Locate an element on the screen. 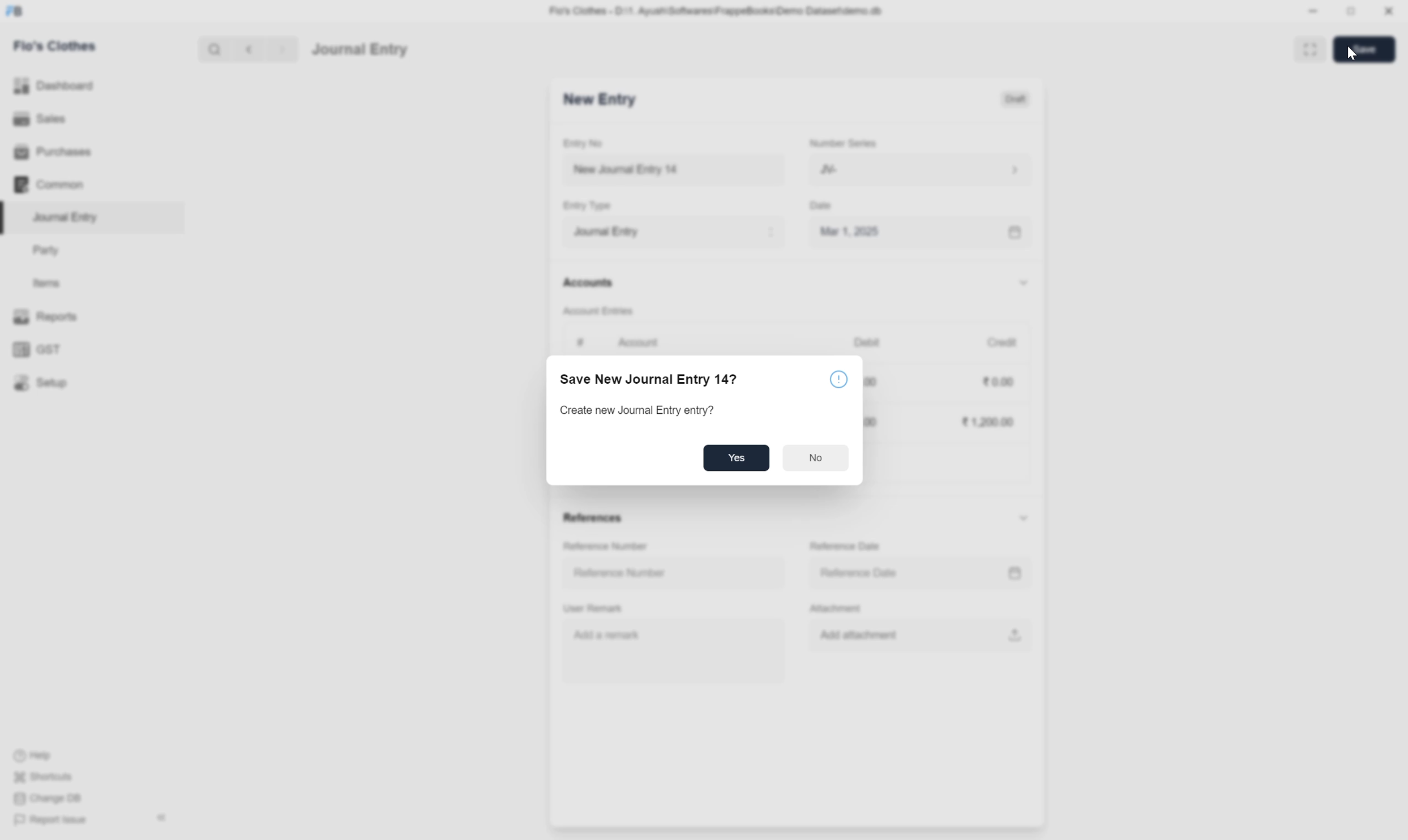 This screenshot has height=840, width=1408. Purchases is located at coordinates (56, 152).